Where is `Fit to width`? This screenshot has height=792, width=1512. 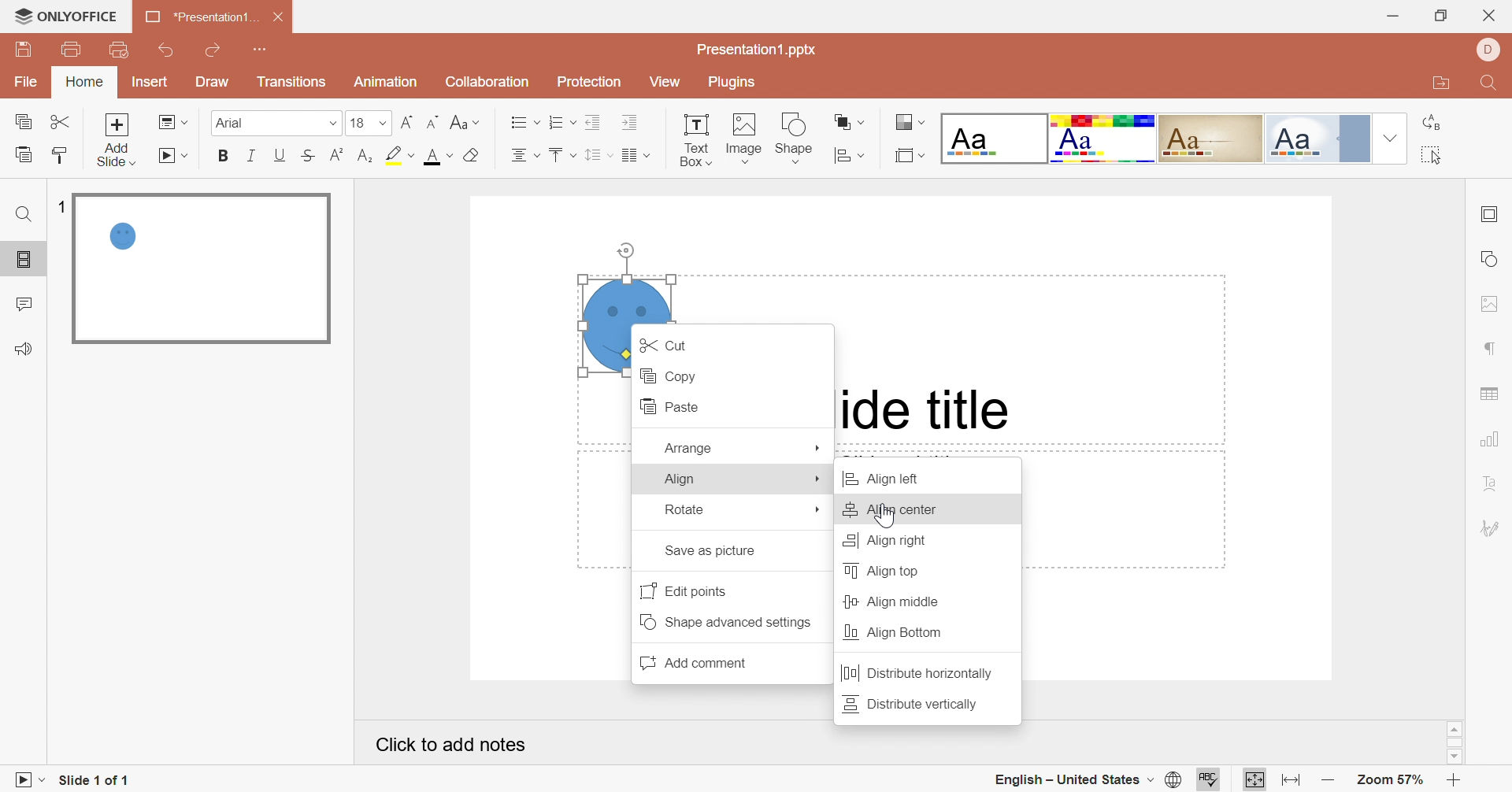
Fit to width is located at coordinates (1291, 780).